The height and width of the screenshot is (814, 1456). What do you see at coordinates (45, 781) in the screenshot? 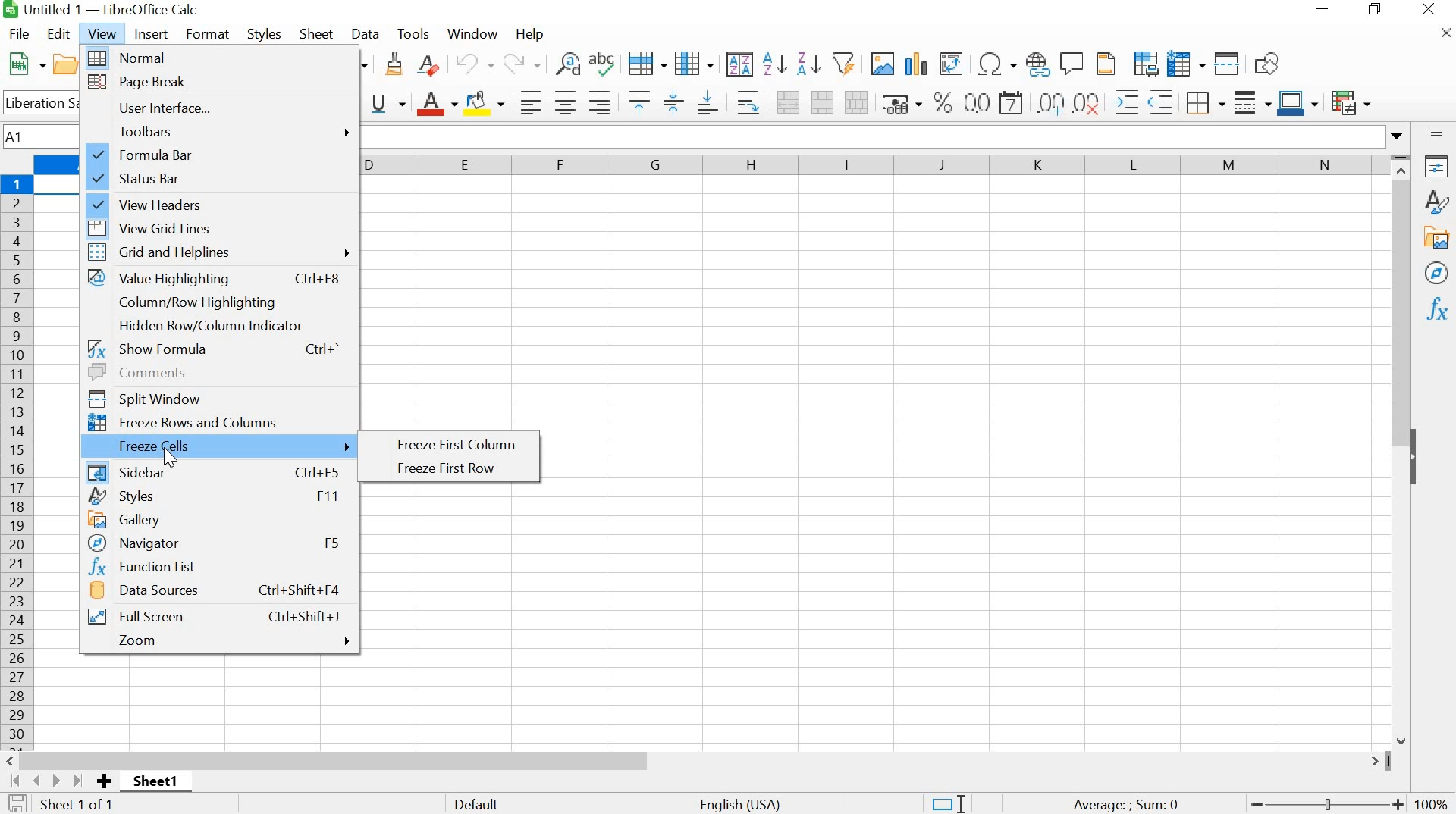
I see `SCROLL TO SHEET` at bounding box center [45, 781].